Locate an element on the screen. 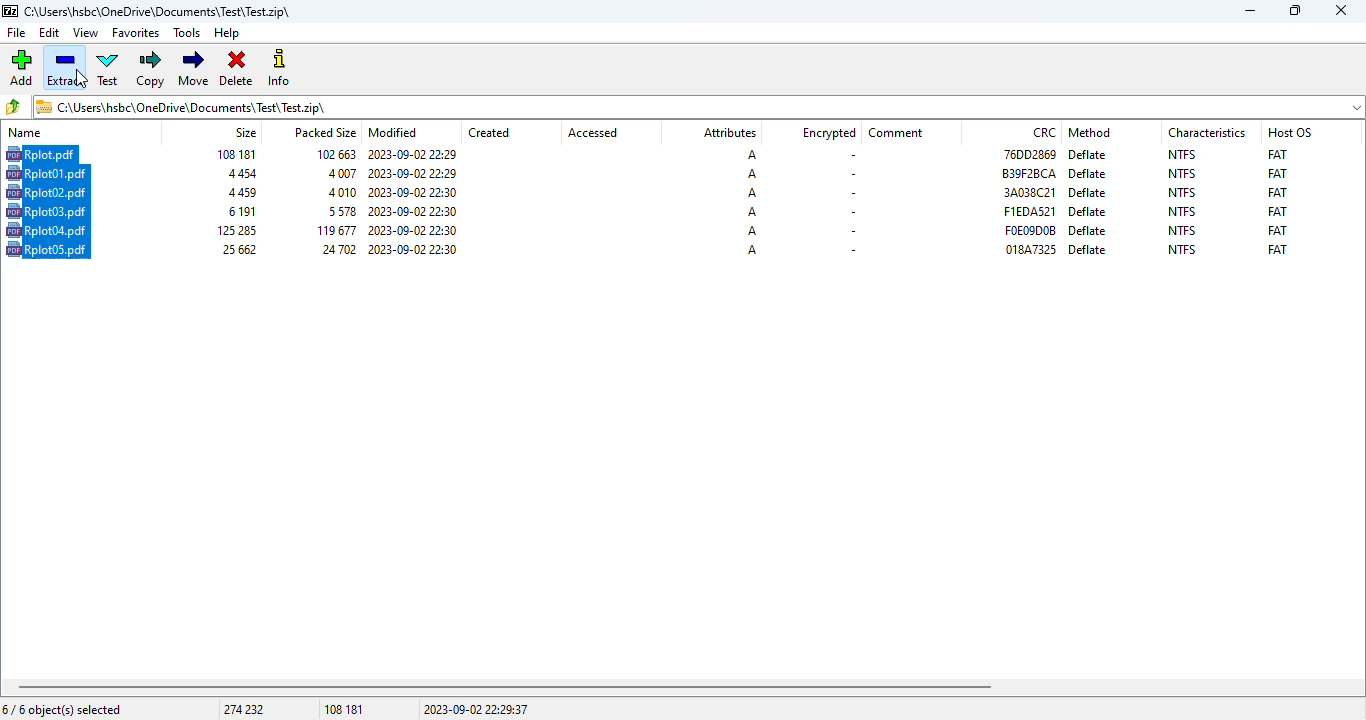 The height and width of the screenshot is (720, 1366). edit is located at coordinates (50, 33).